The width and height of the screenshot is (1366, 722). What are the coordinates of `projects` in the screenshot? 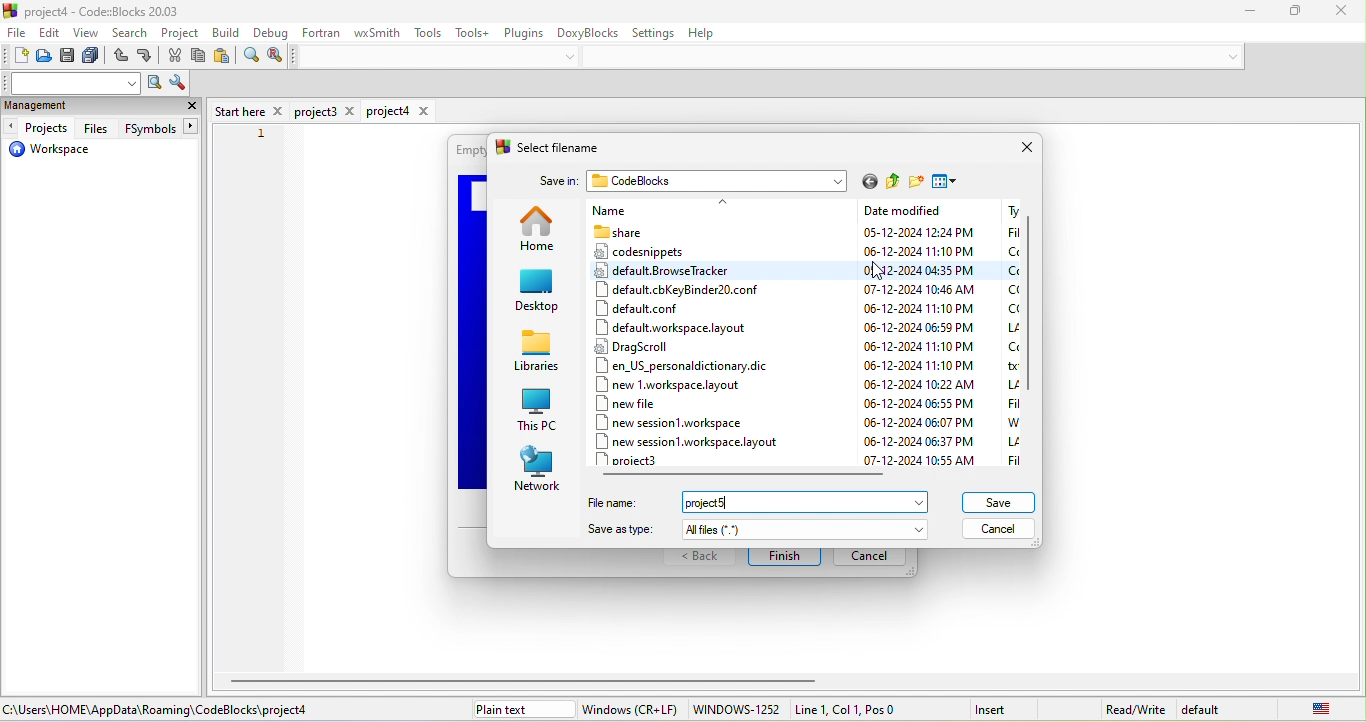 It's located at (39, 128).